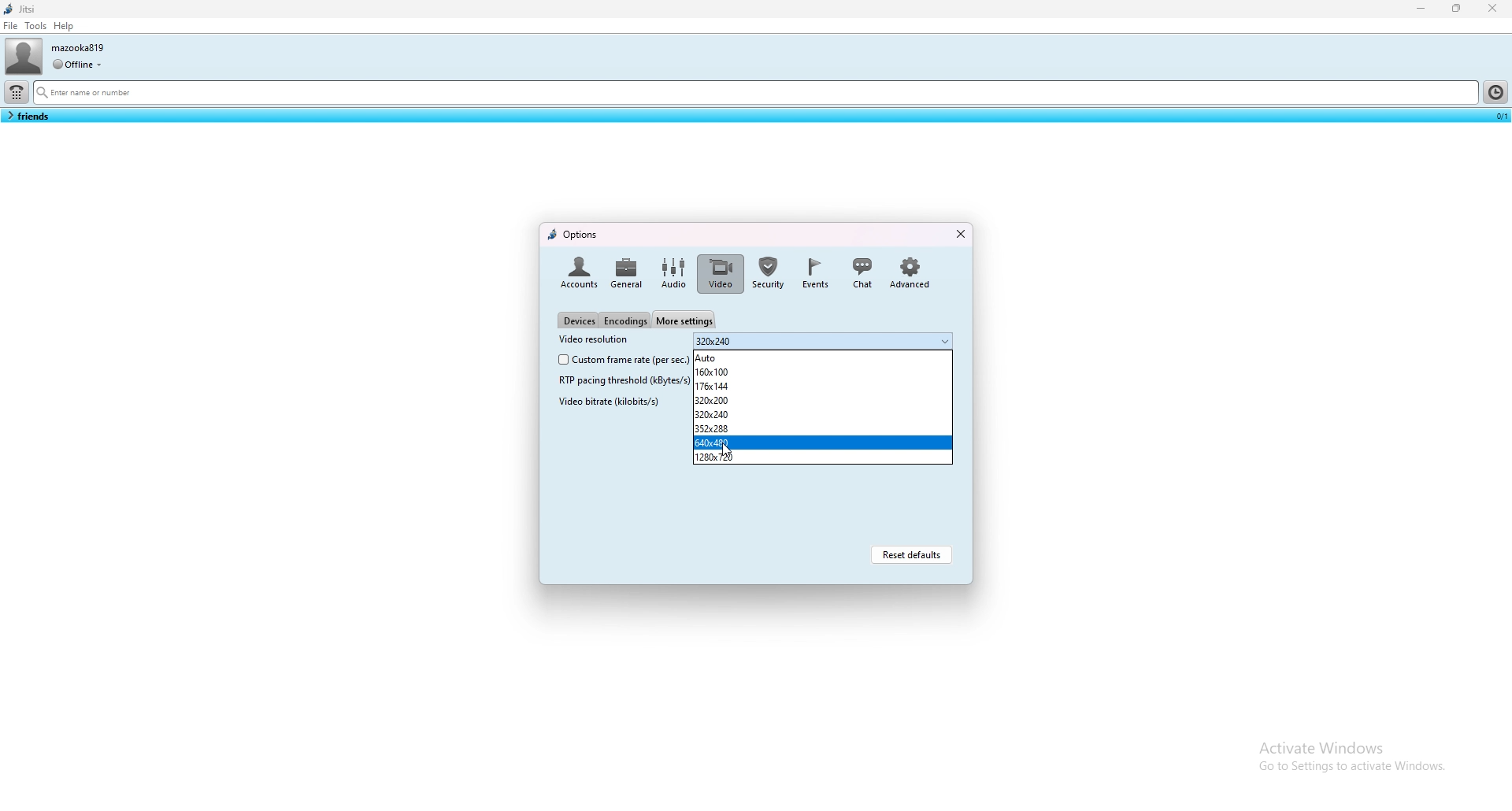 The height and width of the screenshot is (811, 1512). What do you see at coordinates (825, 457) in the screenshot?
I see `1280 by 720` at bounding box center [825, 457].